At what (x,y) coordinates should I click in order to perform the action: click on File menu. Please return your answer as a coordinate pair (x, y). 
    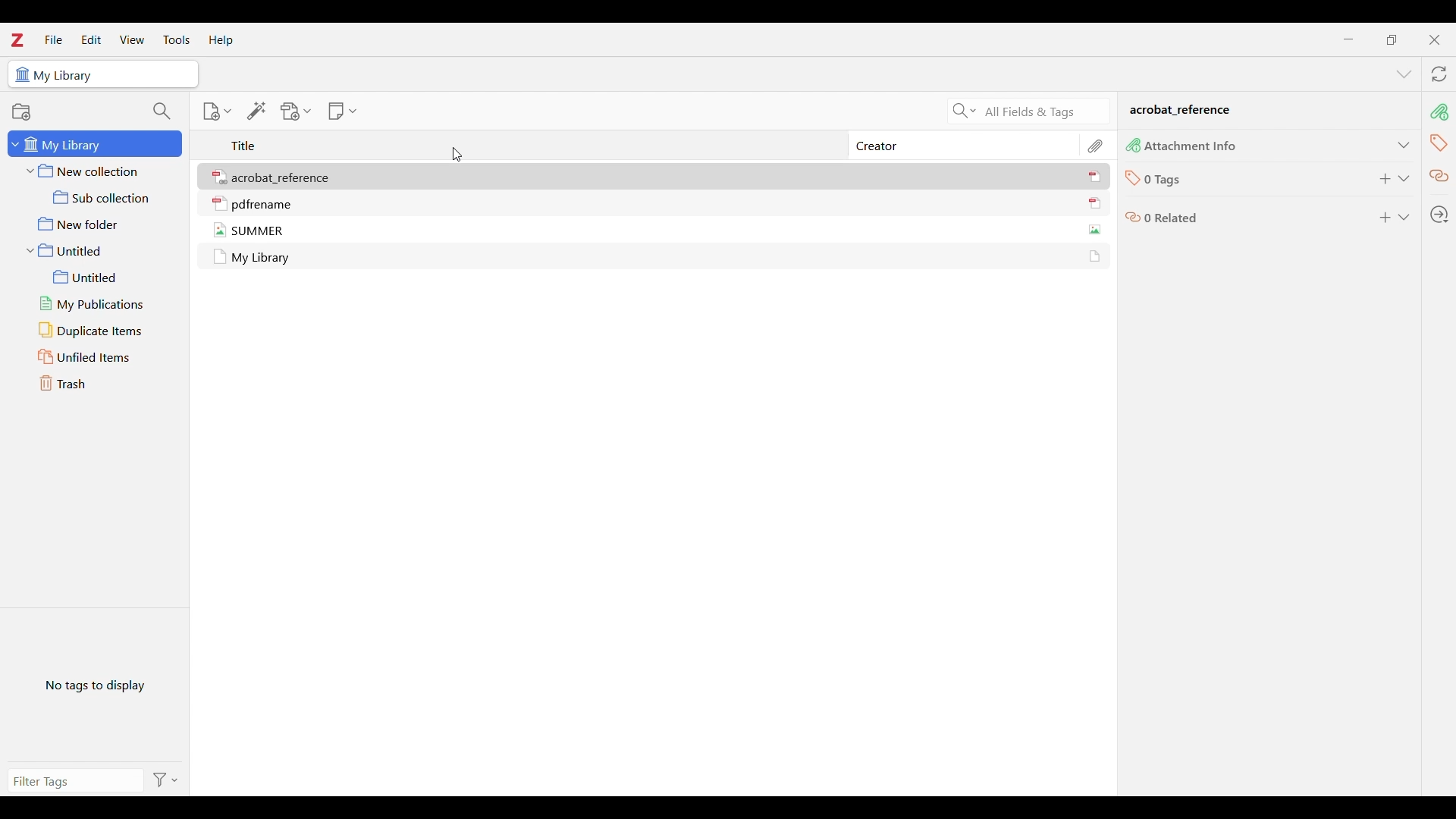
    Looking at the image, I should click on (54, 39).